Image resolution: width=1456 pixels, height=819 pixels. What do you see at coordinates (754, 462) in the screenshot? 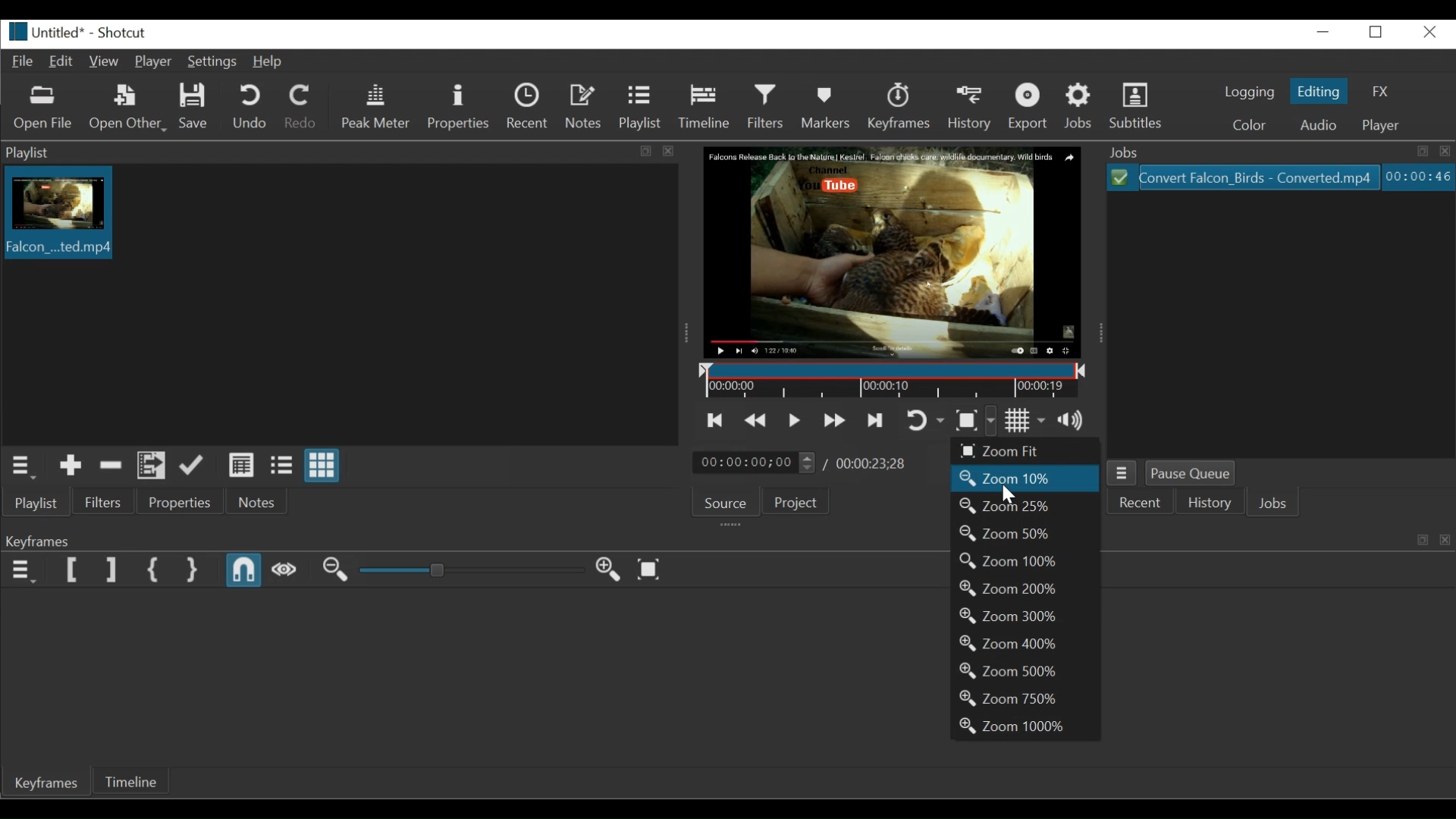
I see `Current location` at bounding box center [754, 462].